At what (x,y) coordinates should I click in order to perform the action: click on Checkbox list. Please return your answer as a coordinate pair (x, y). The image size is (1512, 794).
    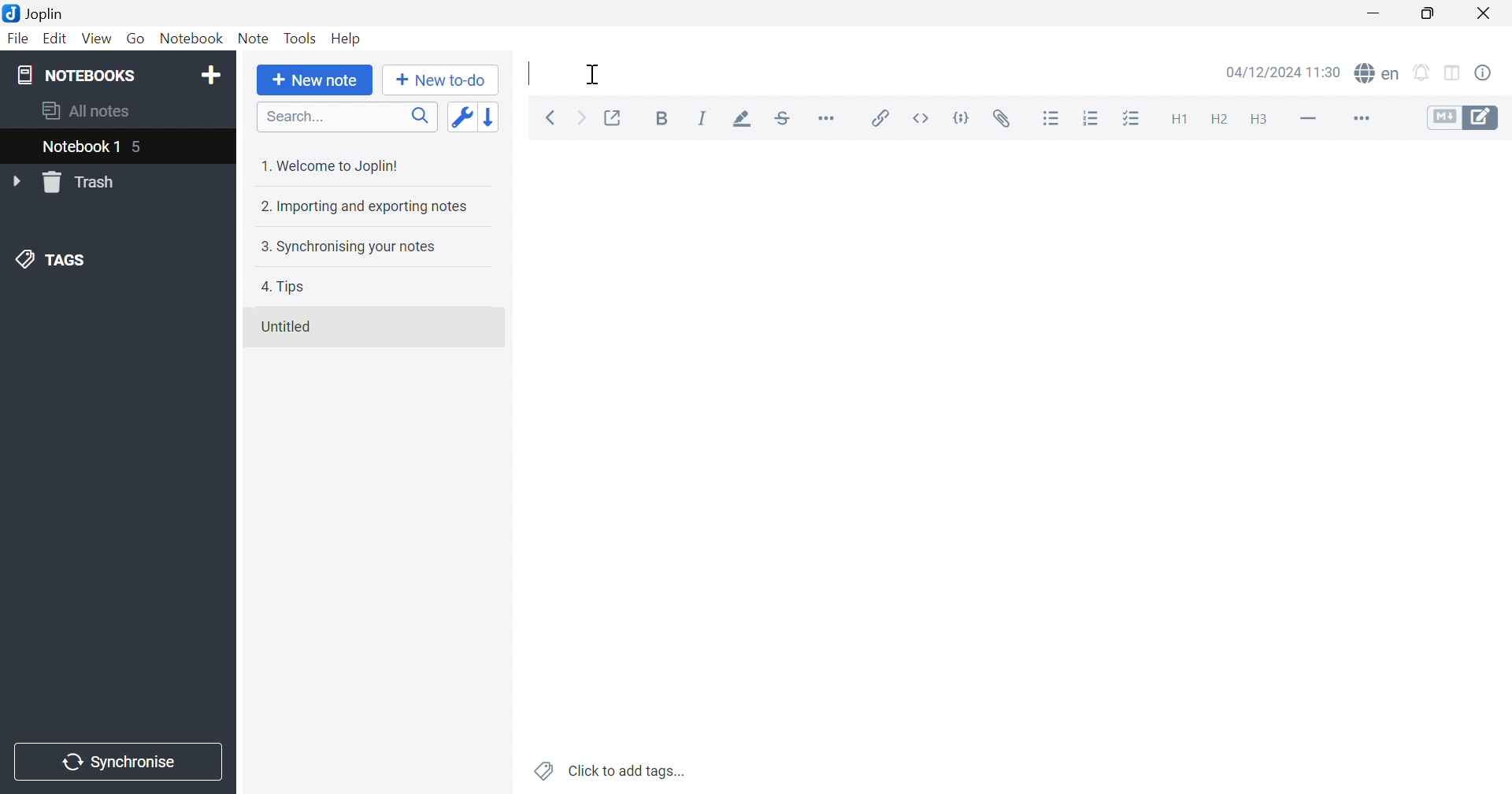
    Looking at the image, I should click on (1135, 120).